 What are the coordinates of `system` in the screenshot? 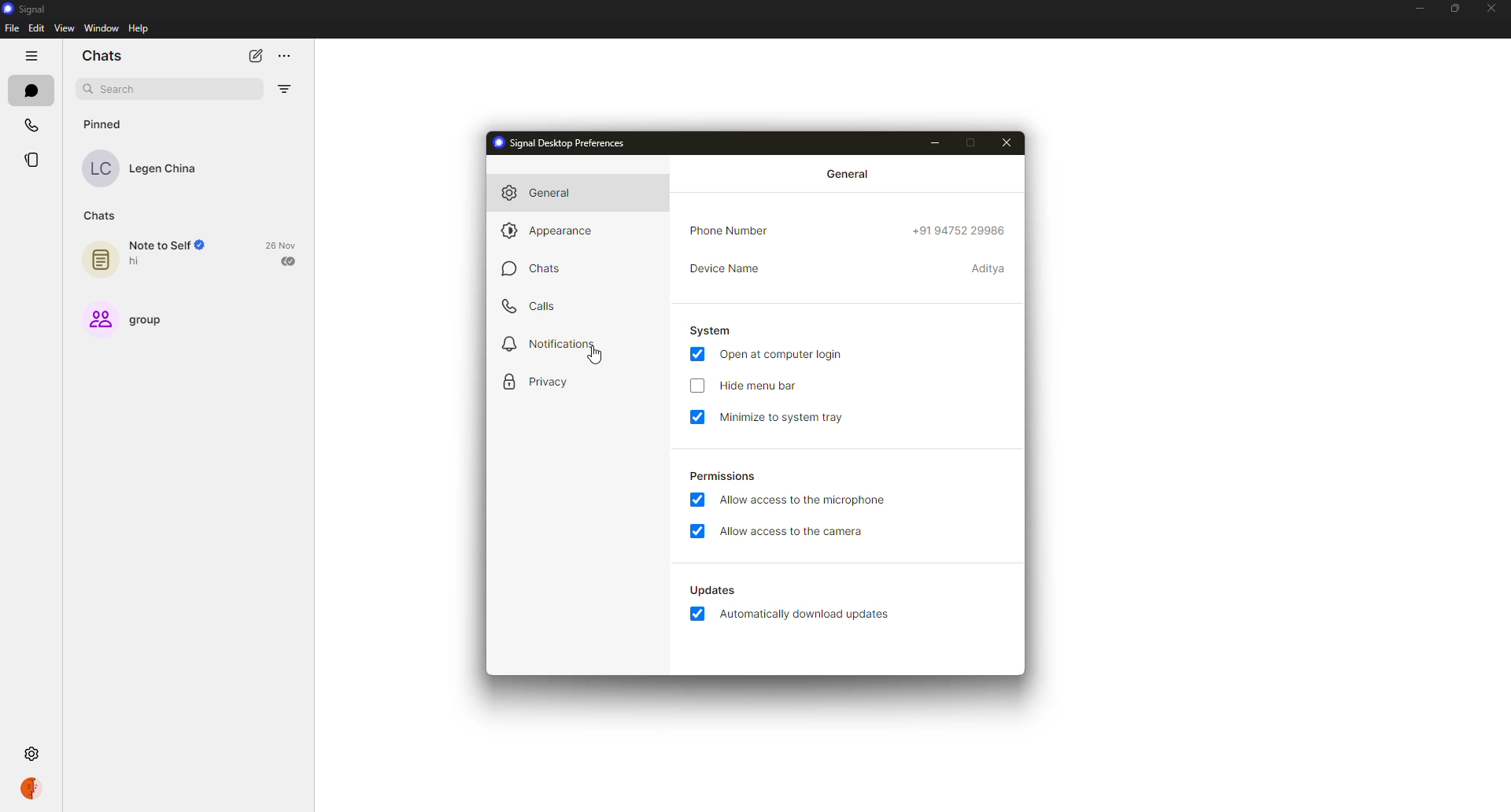 It's located at (713, 330).